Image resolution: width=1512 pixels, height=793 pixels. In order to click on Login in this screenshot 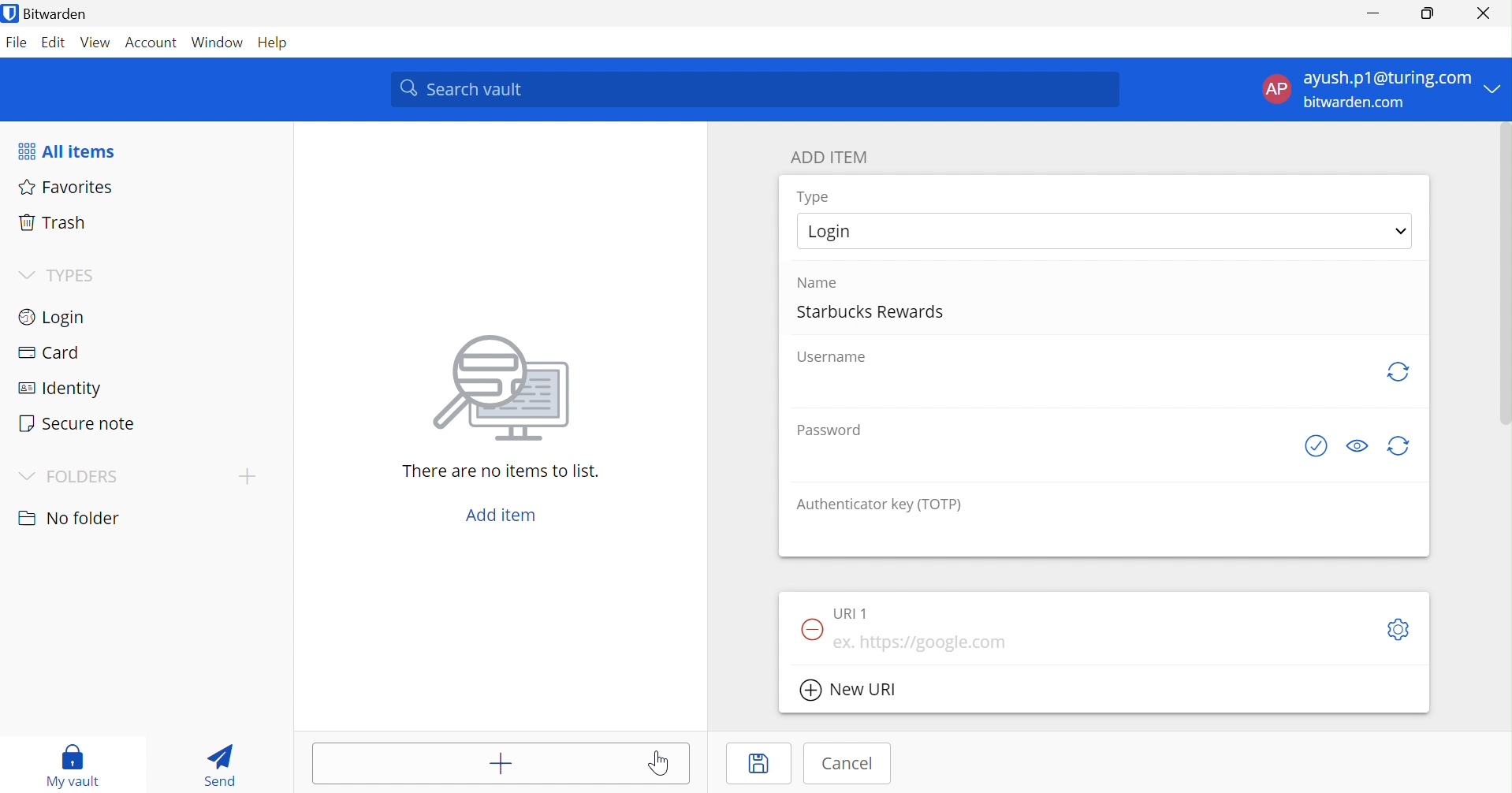, I will do `click(50, 319)`.